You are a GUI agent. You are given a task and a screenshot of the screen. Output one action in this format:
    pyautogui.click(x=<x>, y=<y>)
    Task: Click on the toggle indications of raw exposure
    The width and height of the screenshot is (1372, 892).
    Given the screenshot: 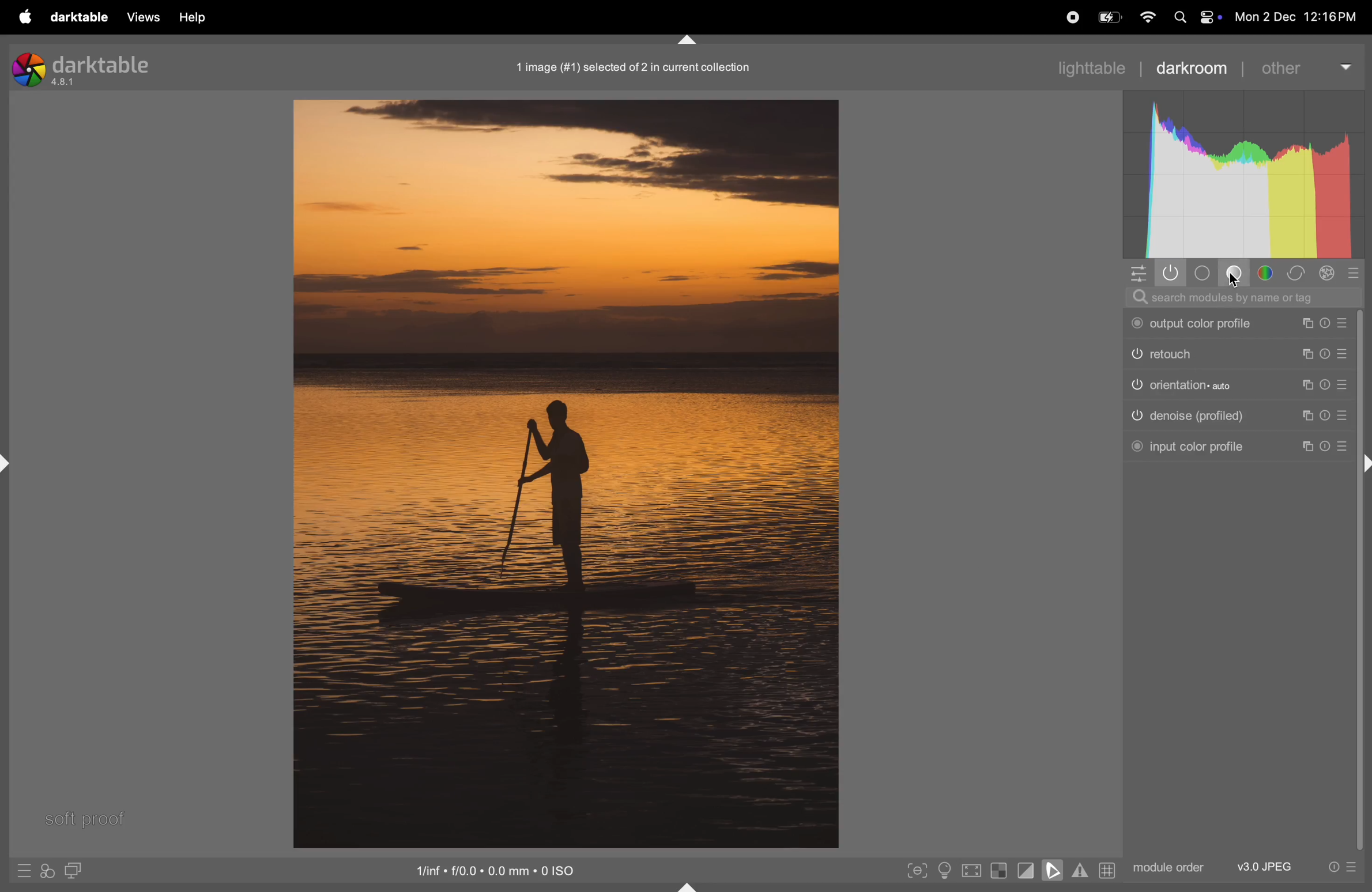 What is the action you would take?
    pyautogui.click(x=998, y=870)
    